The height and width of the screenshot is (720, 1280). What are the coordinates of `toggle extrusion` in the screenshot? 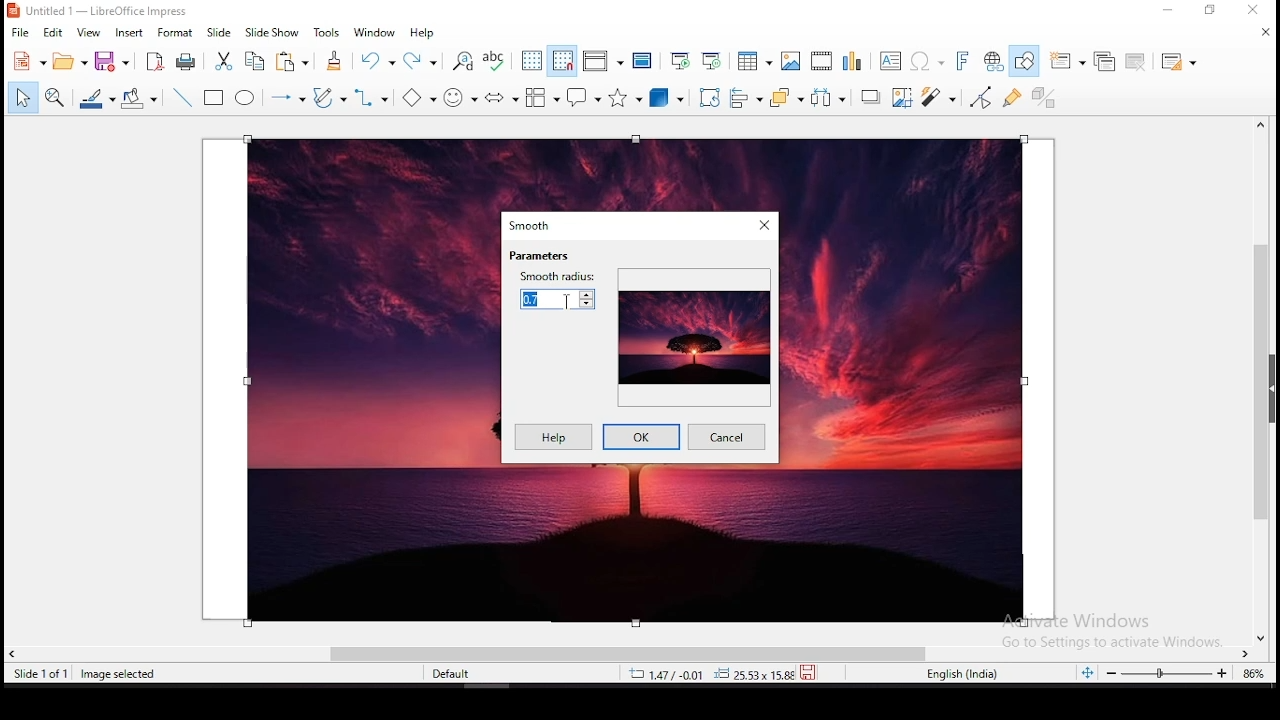 It's located at (1045, 95).